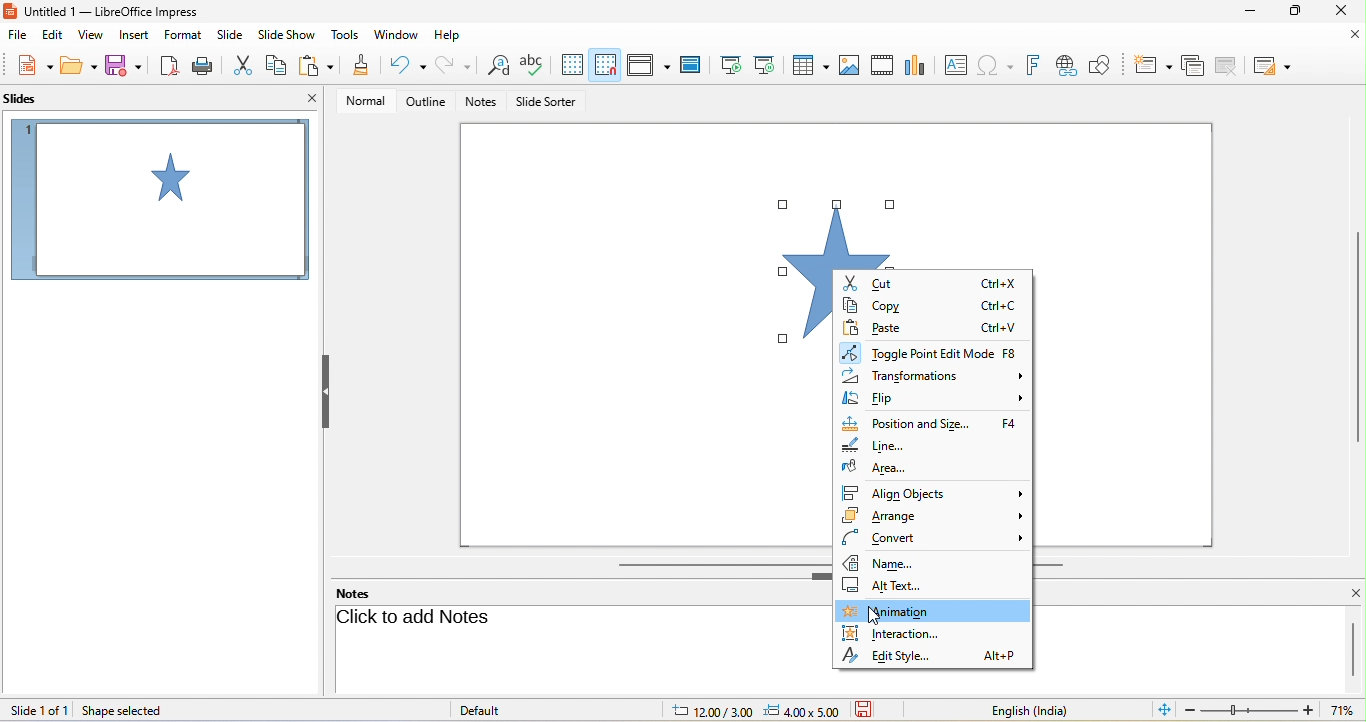 The width and height of the screenshot is (1366, 722). Describe the element at coordinates (286, 36) in the screenshot. I see `slideshow` at that location.